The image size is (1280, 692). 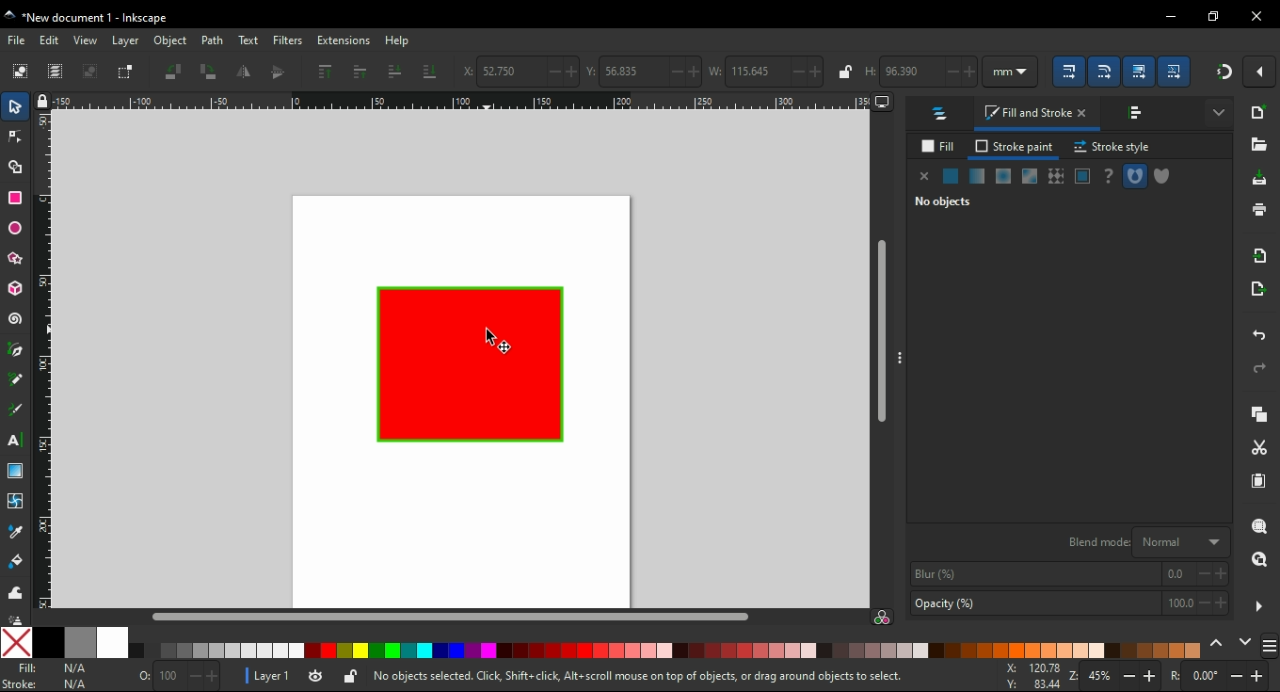 What do you see at coordinates (560, 72) in the screenshot?
I see `increase/decrease` at bounding box center [560, 72].